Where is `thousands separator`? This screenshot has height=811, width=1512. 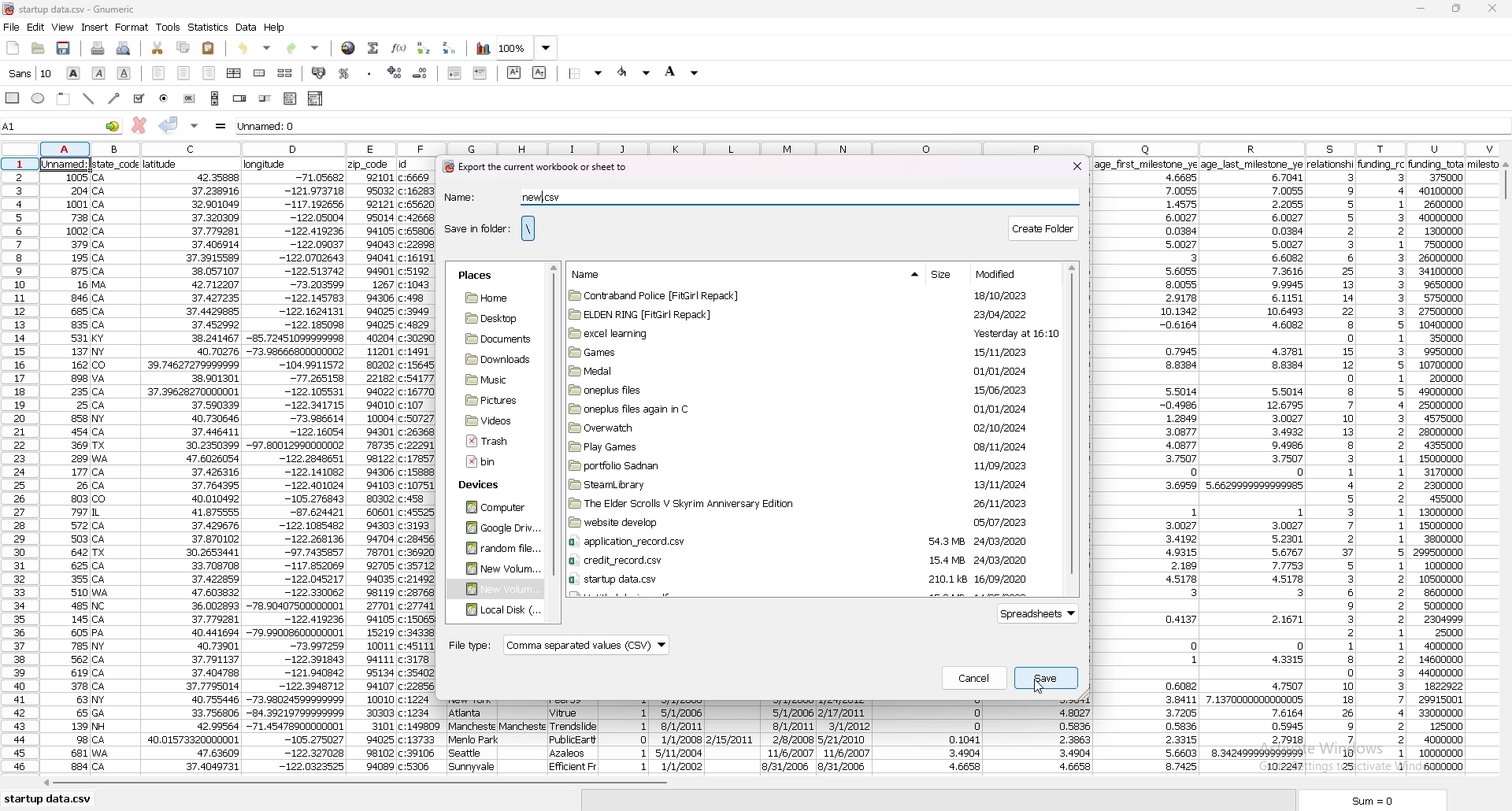 thousands separator is located at coordinates (369, 71).